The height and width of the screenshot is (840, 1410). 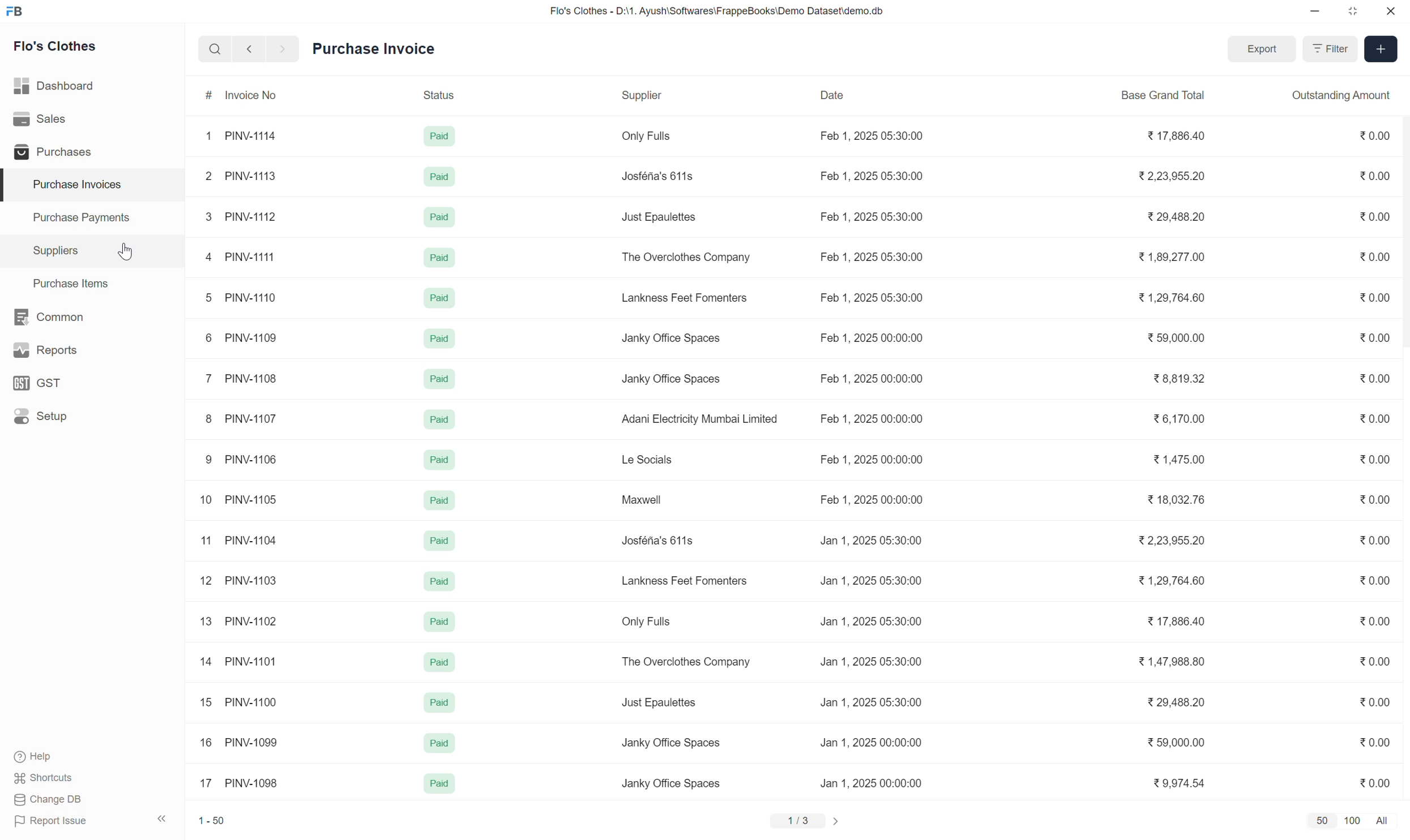 What do you see at coordinates (44, 757) in the screenshot?
I see `Help` at bounding box center [44, 757].